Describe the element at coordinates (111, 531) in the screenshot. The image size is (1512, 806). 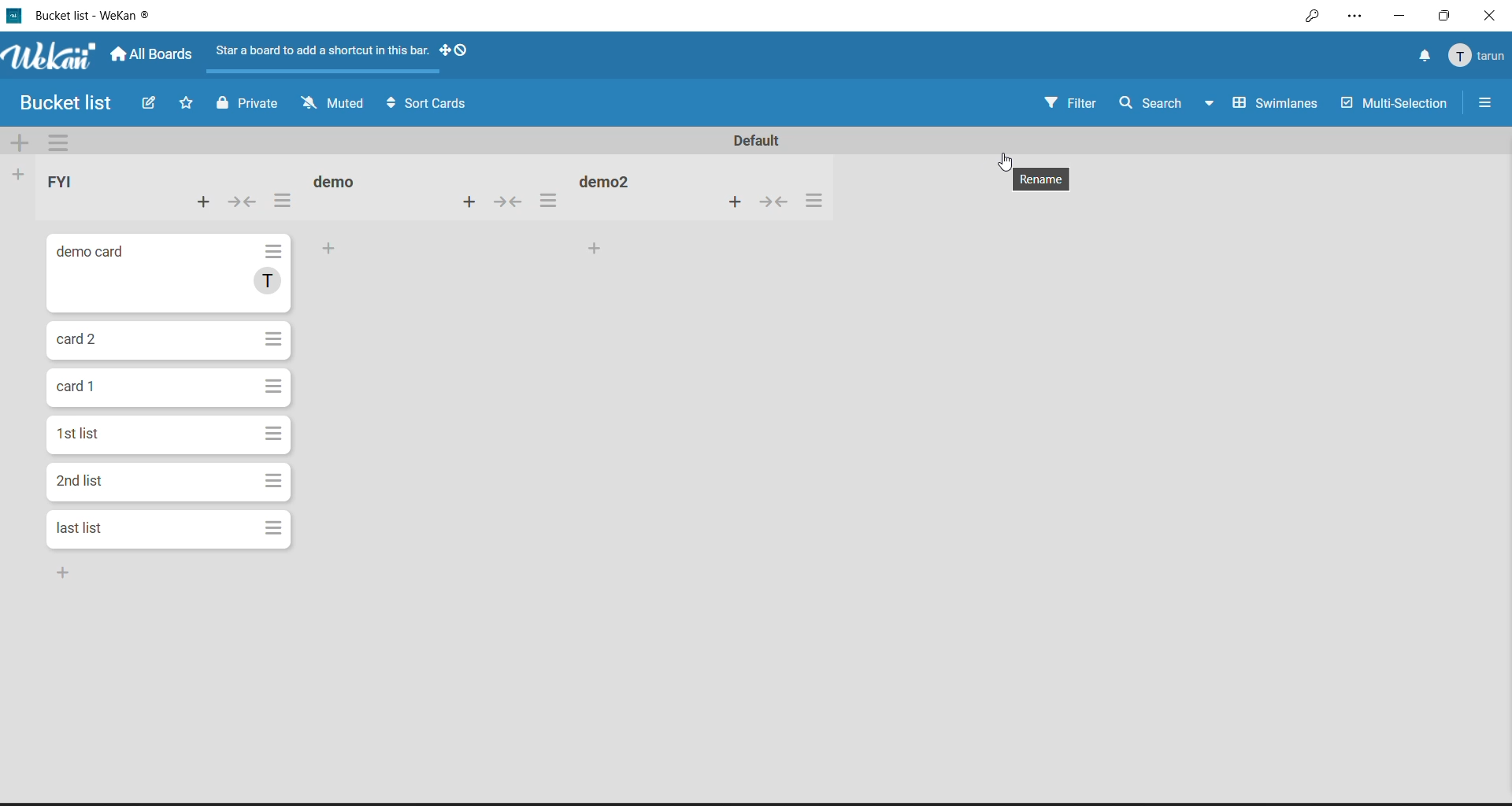
I see `card bottom of the list` at that location.